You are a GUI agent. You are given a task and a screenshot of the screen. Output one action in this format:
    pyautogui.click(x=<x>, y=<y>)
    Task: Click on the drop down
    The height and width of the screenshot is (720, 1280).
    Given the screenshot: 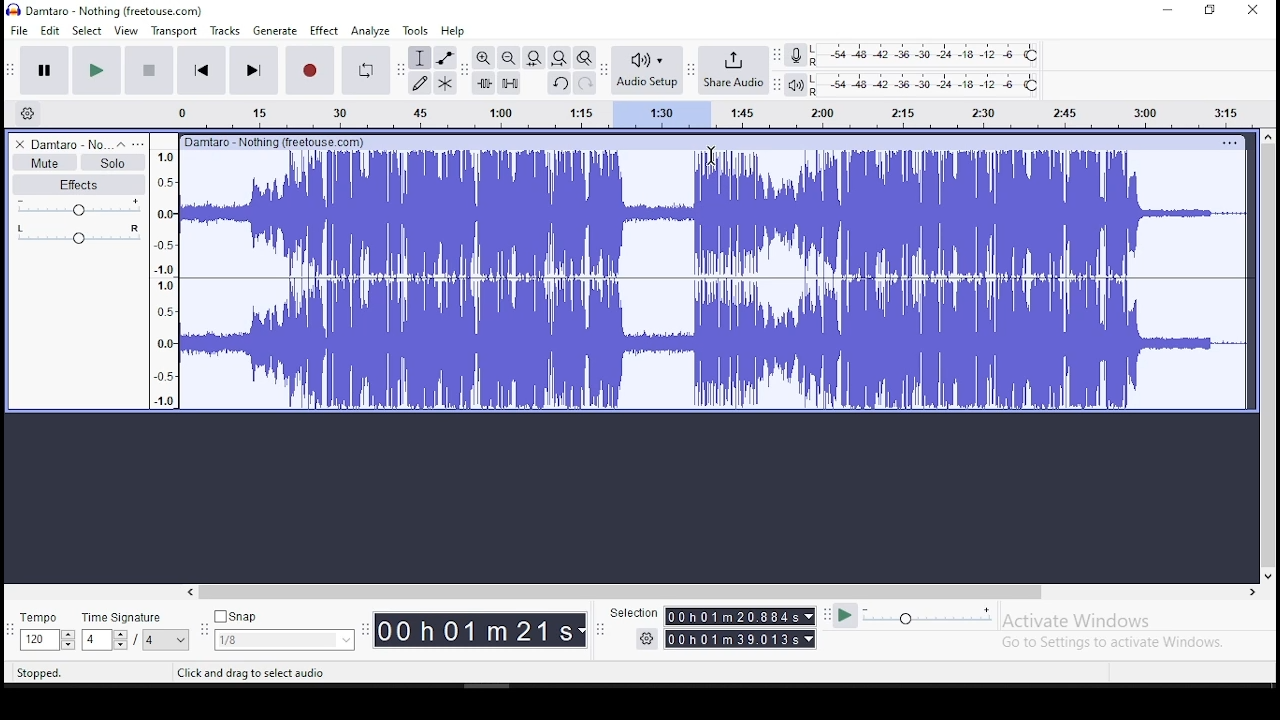 What is the action you would take?
    pyautogui.click(x=119, y=640)
    